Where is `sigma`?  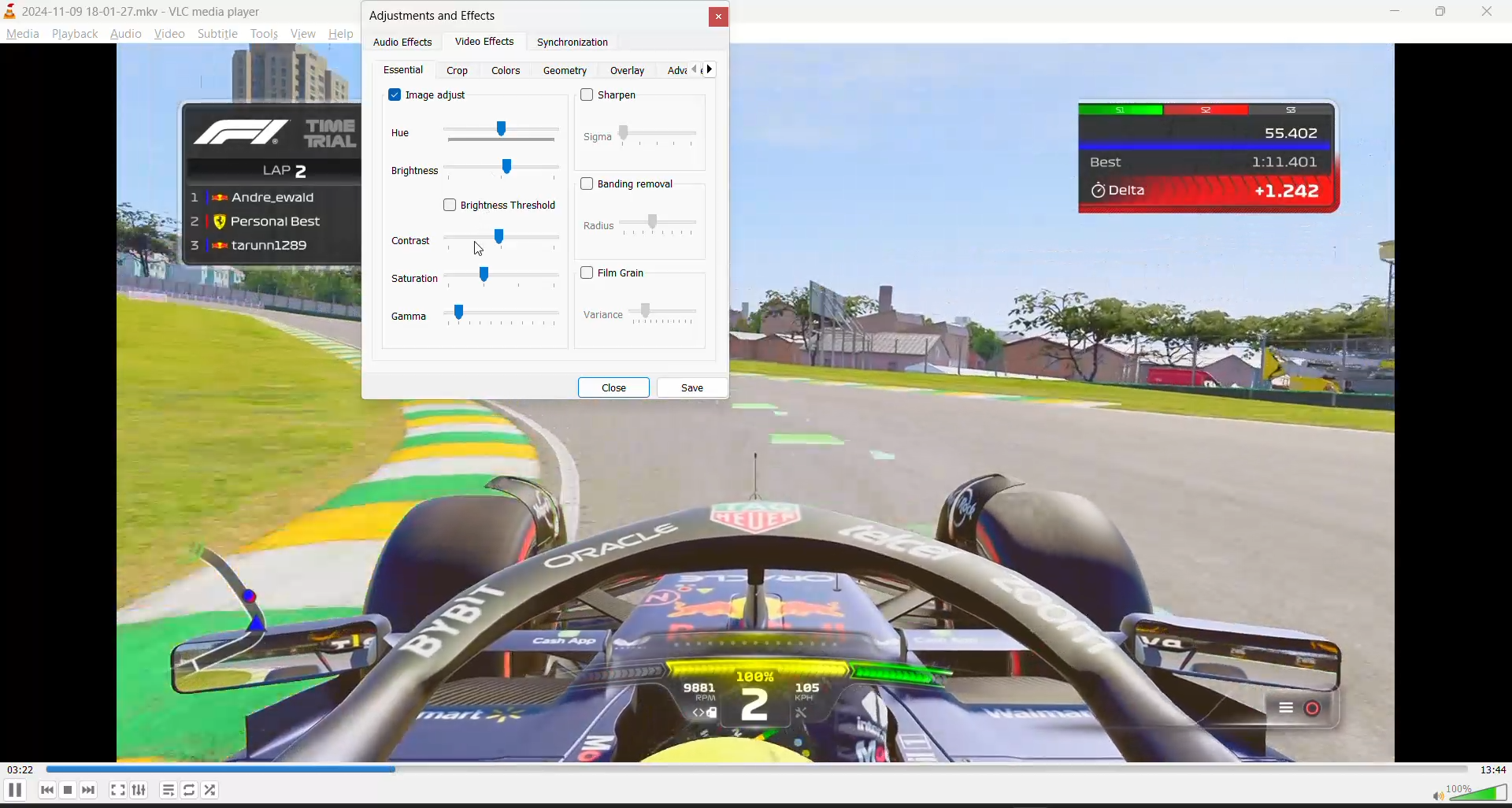 sigma is located at coordinates (598, 137).